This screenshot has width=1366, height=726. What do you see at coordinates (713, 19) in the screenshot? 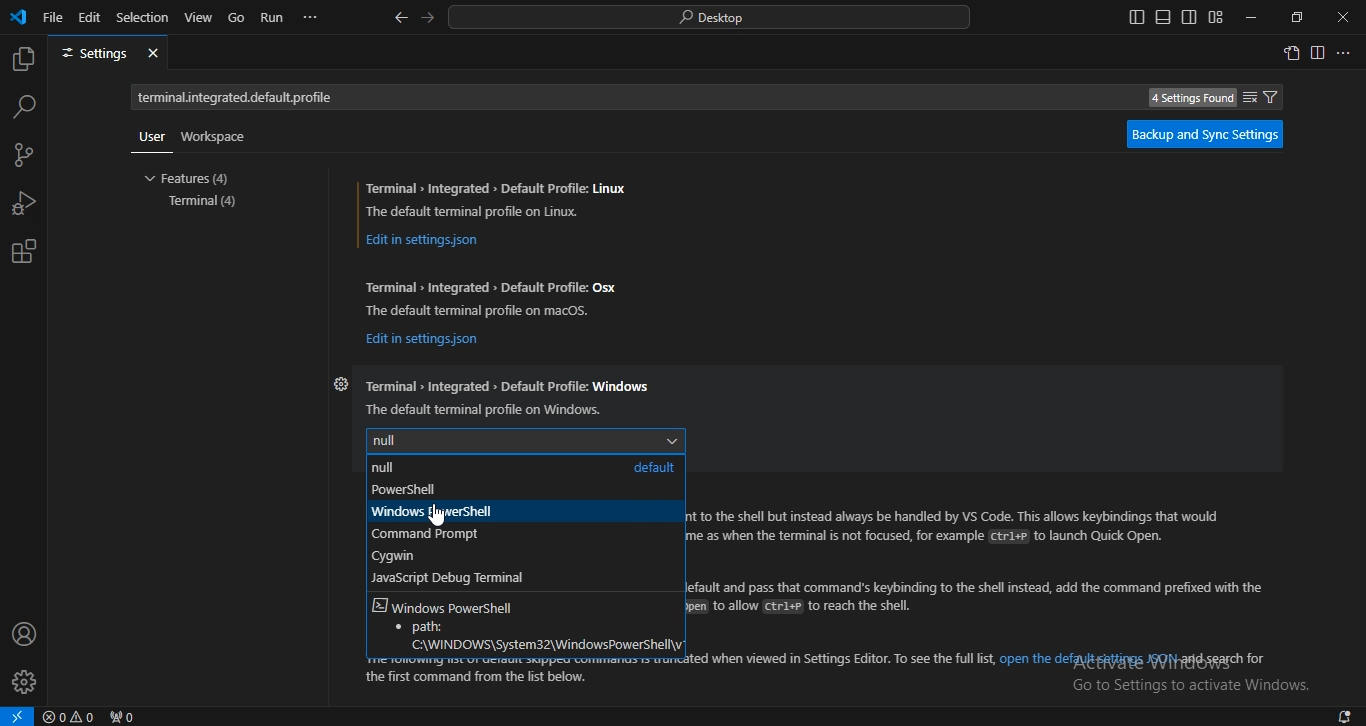
I see `search` at bounding box center [713, 19].